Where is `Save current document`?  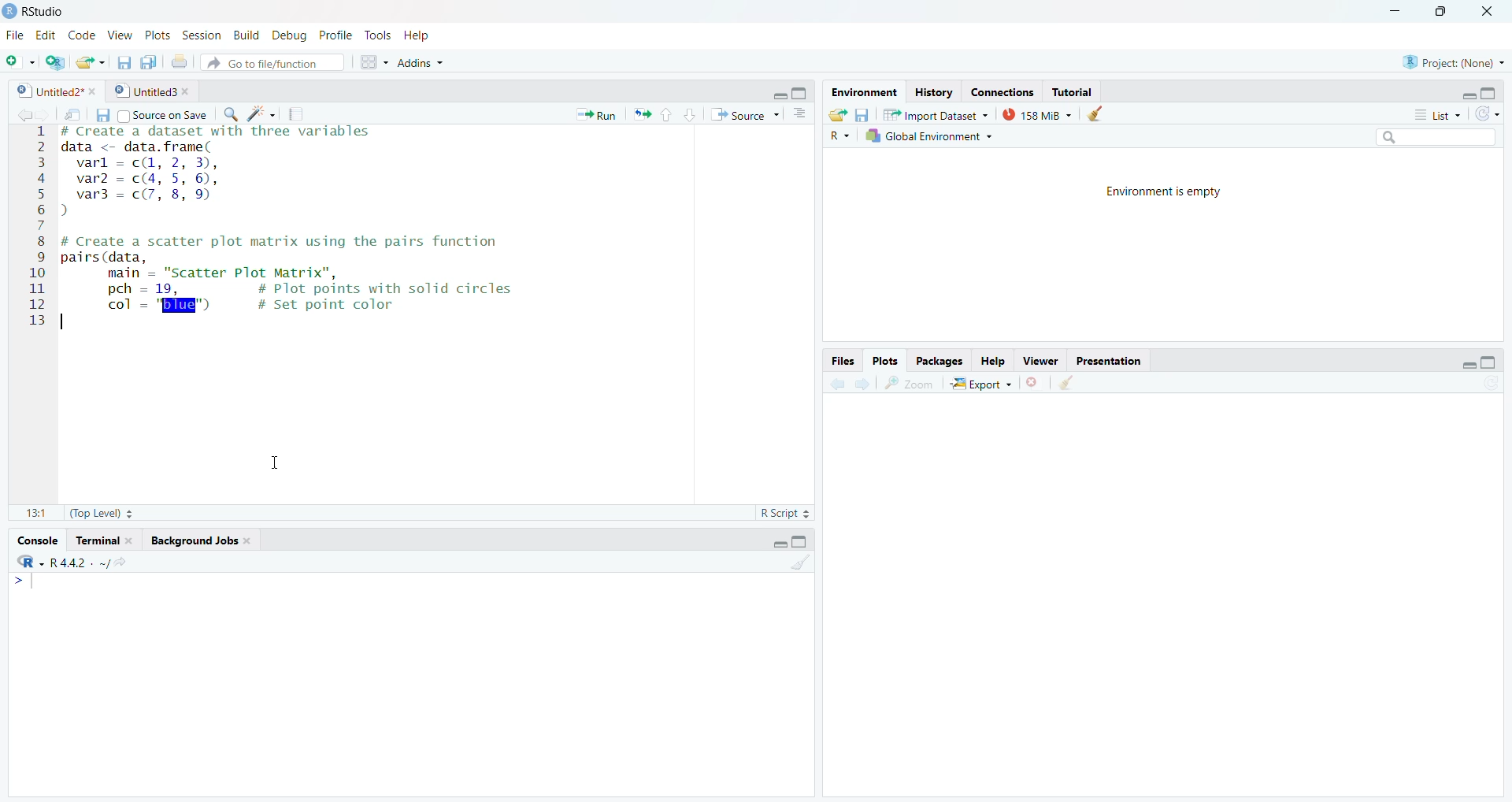 Save current document is located at coordinates (102, 114).